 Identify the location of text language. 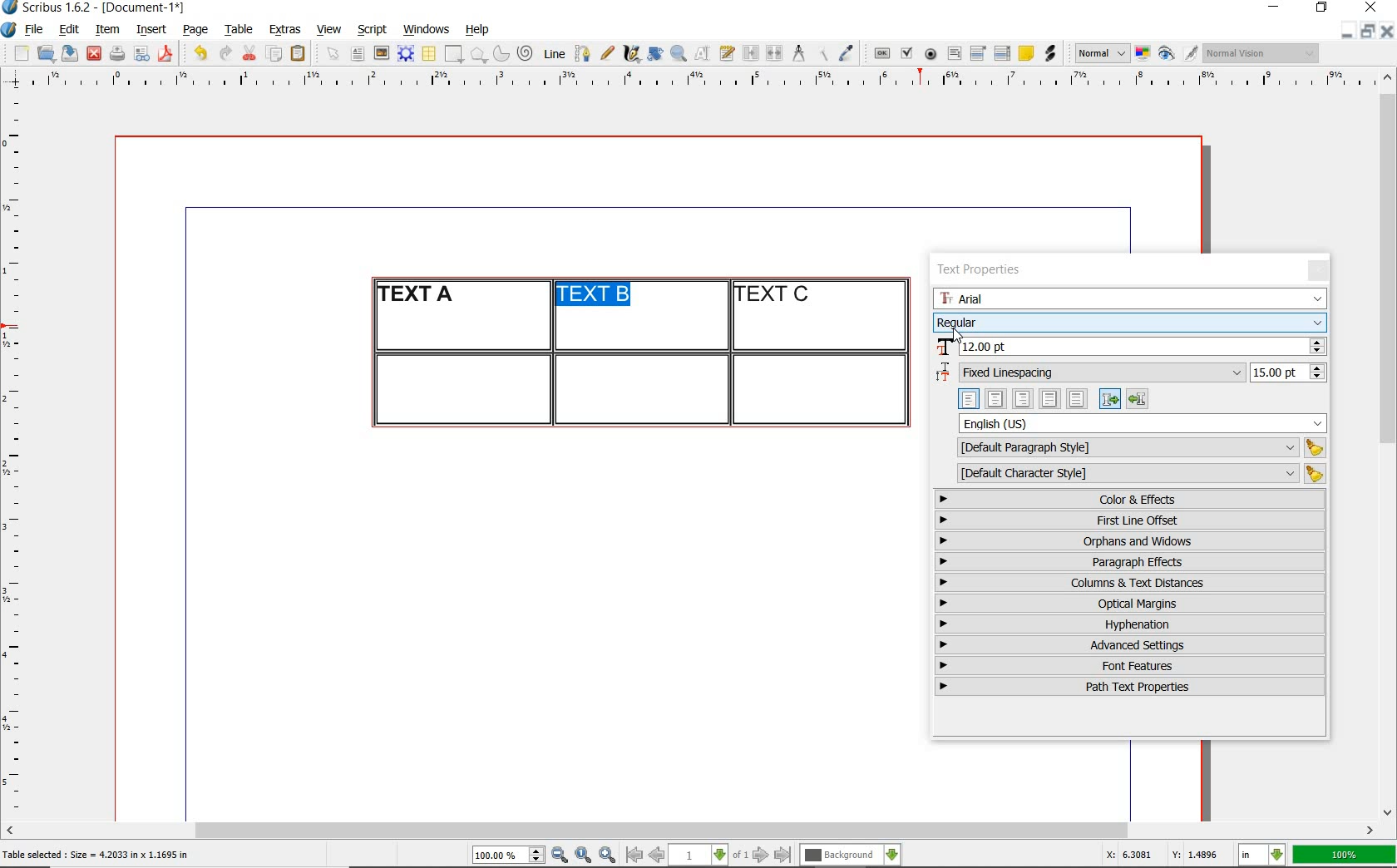
(1143, 423).